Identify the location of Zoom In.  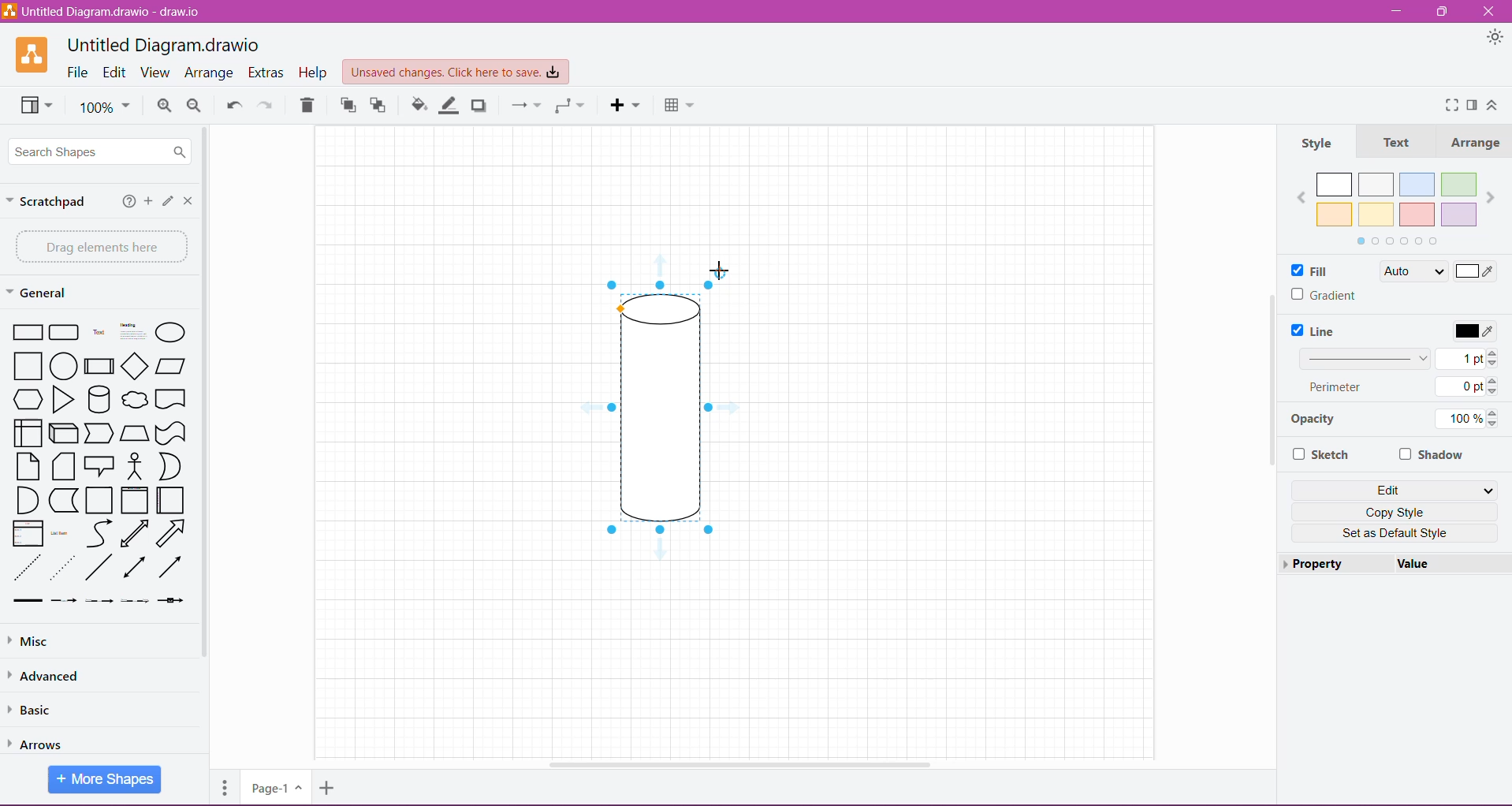
(164, 106).